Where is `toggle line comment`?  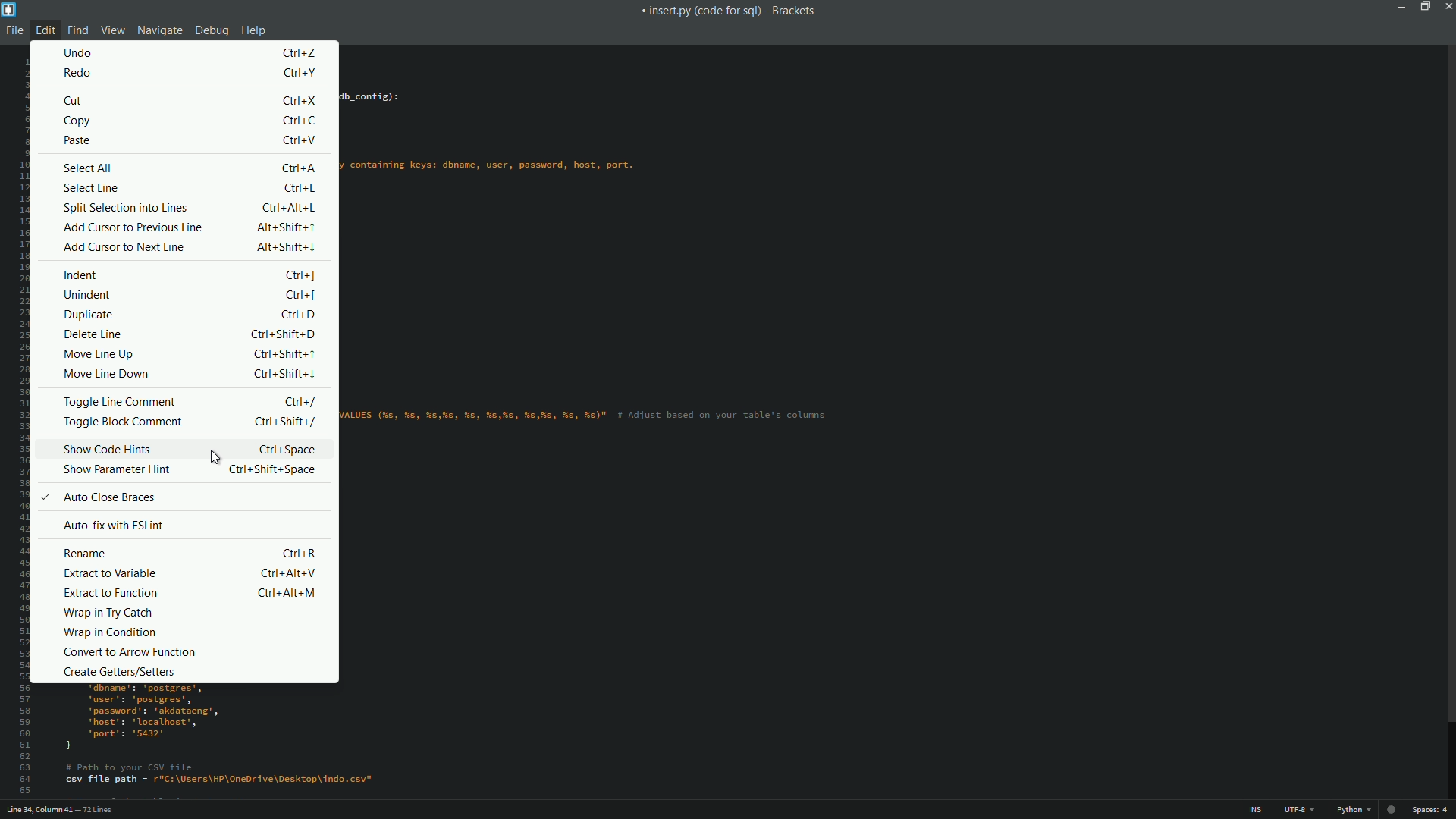
toggle line comment is located at coordinates (120, 400).